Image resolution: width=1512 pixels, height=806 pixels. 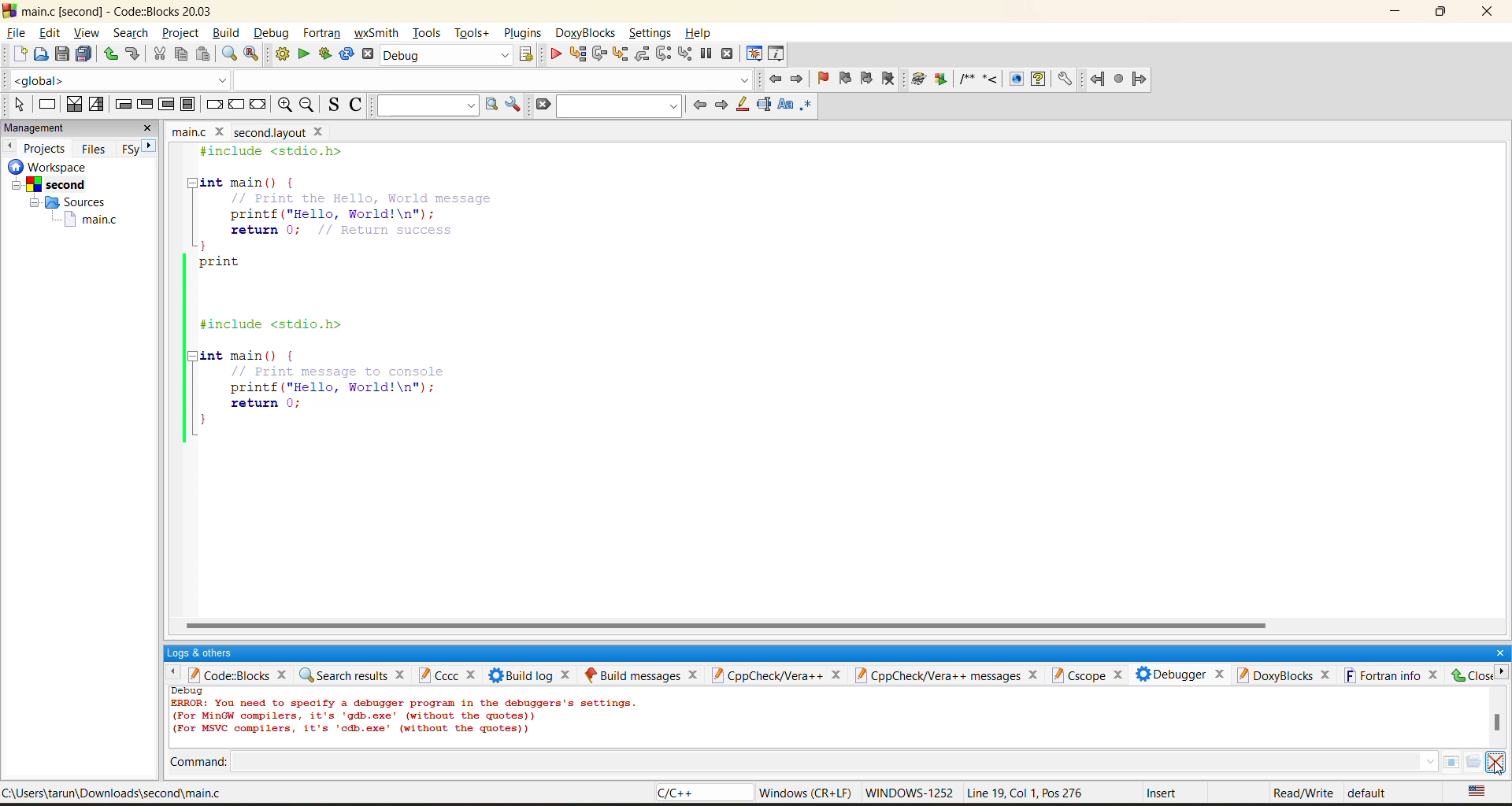 What do you see at coordinates (709, 54) in the screenshot?
I see `break debugger` at bounding box center [709, 54].